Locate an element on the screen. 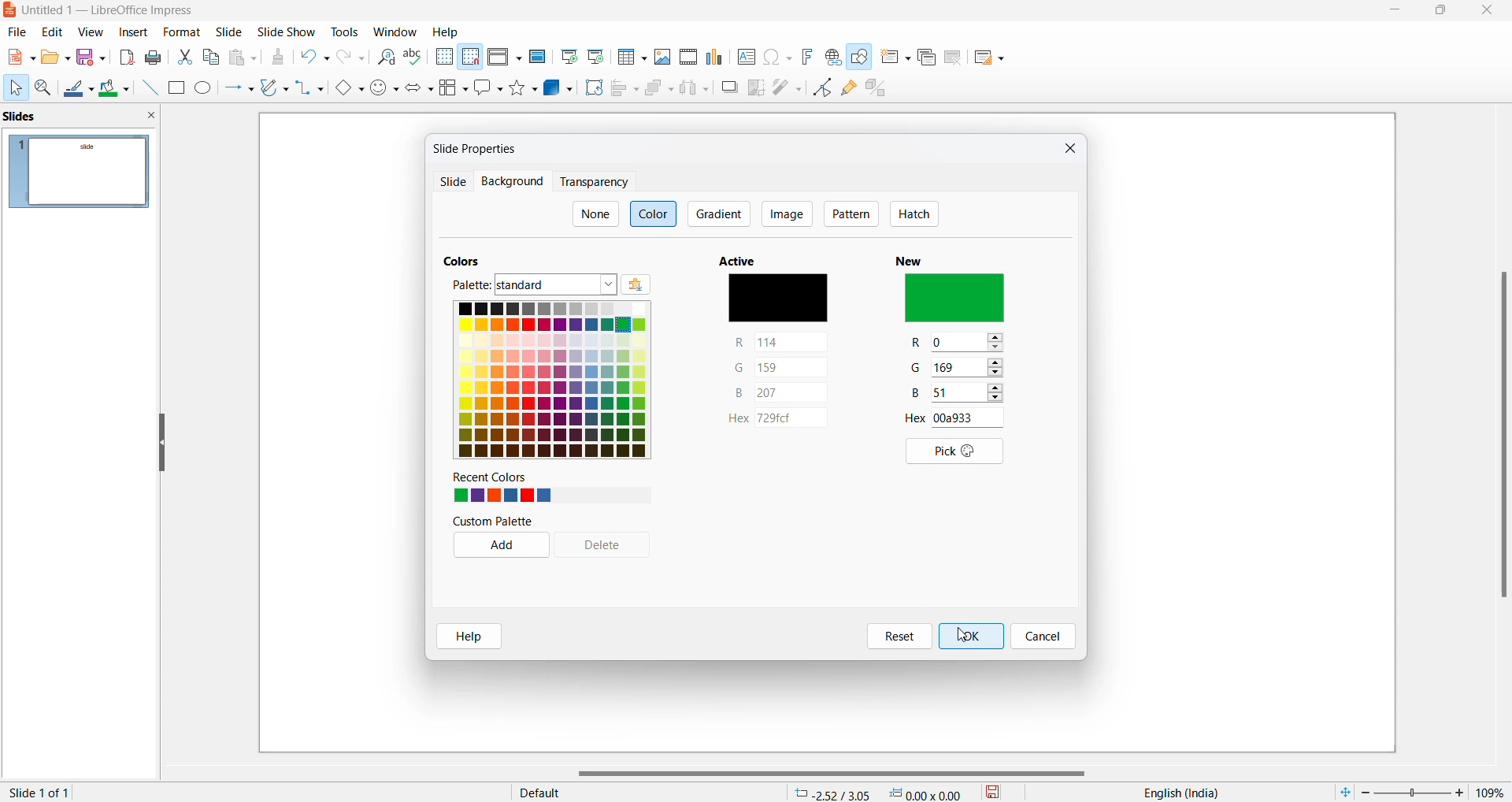 The image size is (1512, 802). zoom slider is located at coordinates (1412, 791).